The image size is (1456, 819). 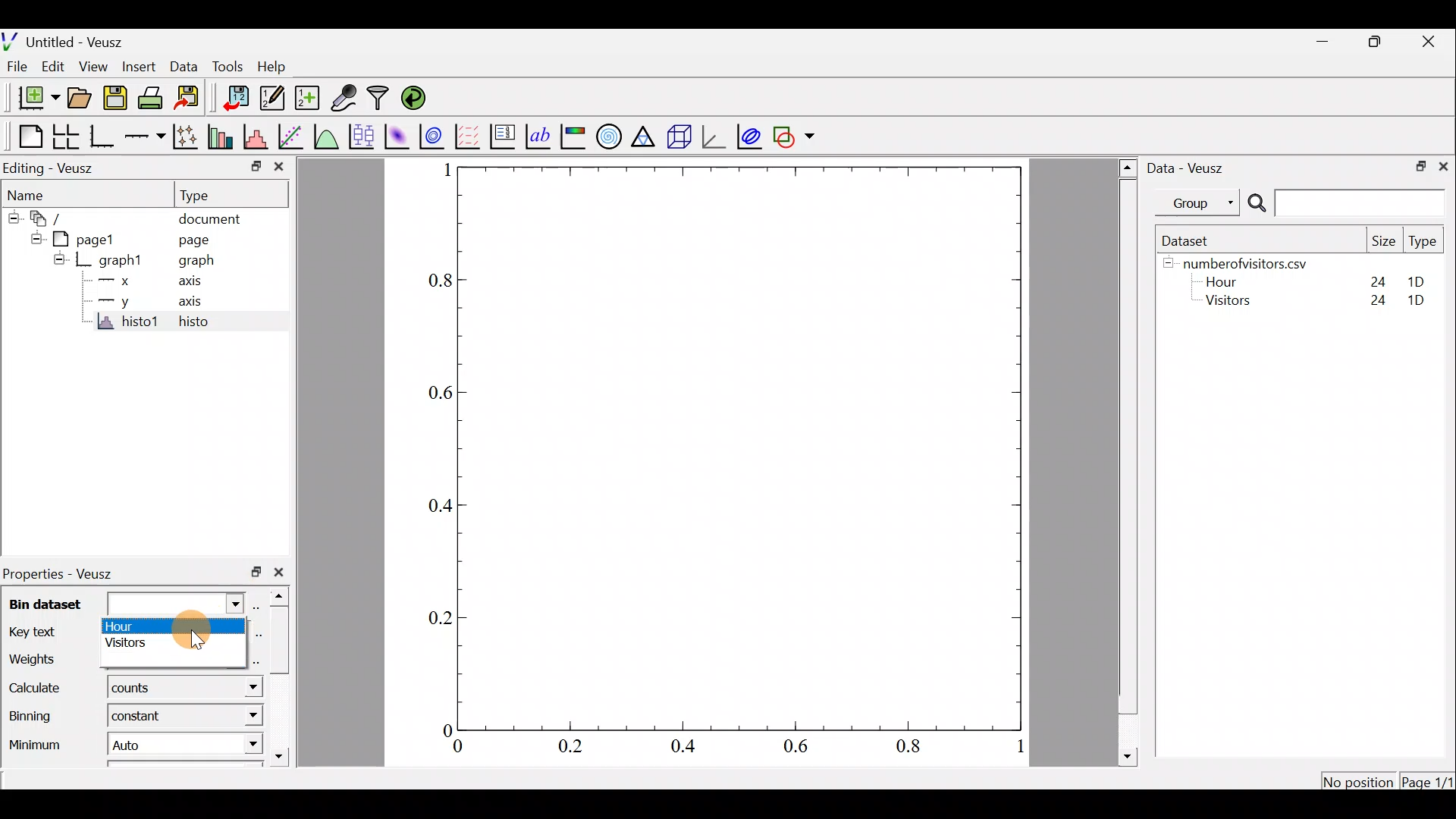 What do you see at coordinates (1370, 278) in the screenshot?
I see `24` at bounding box center [1370, 278].